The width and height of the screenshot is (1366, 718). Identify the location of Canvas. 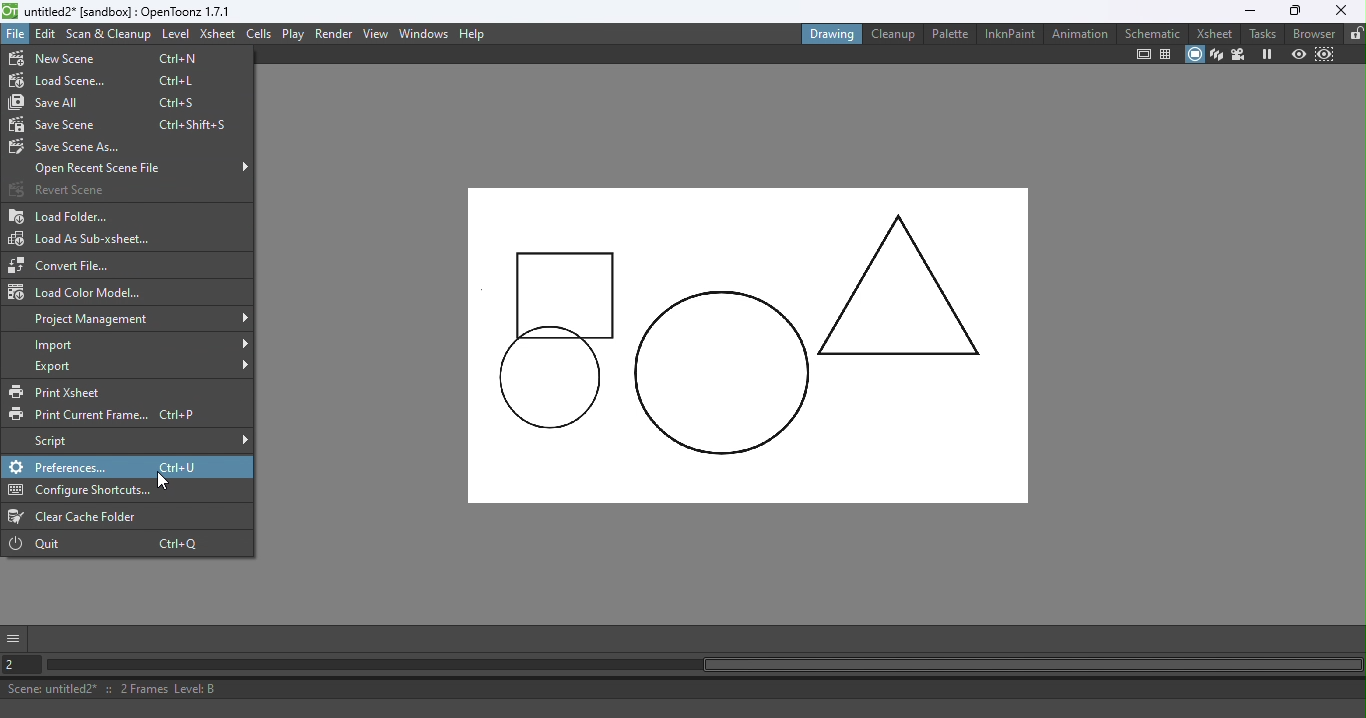
(758, 331).